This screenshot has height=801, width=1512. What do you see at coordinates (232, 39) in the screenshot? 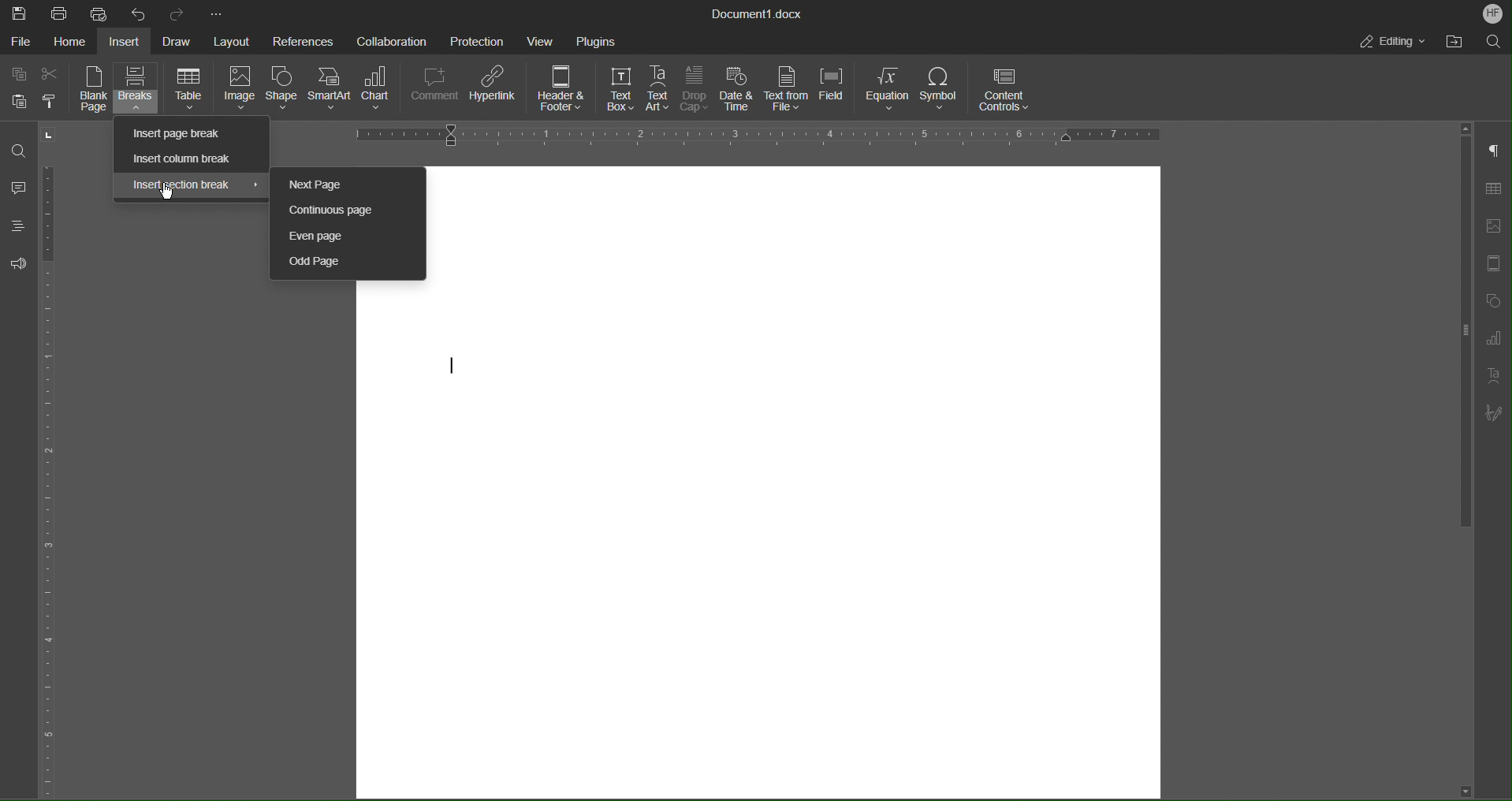
I see `Layout` at bounding box center [232, 39].